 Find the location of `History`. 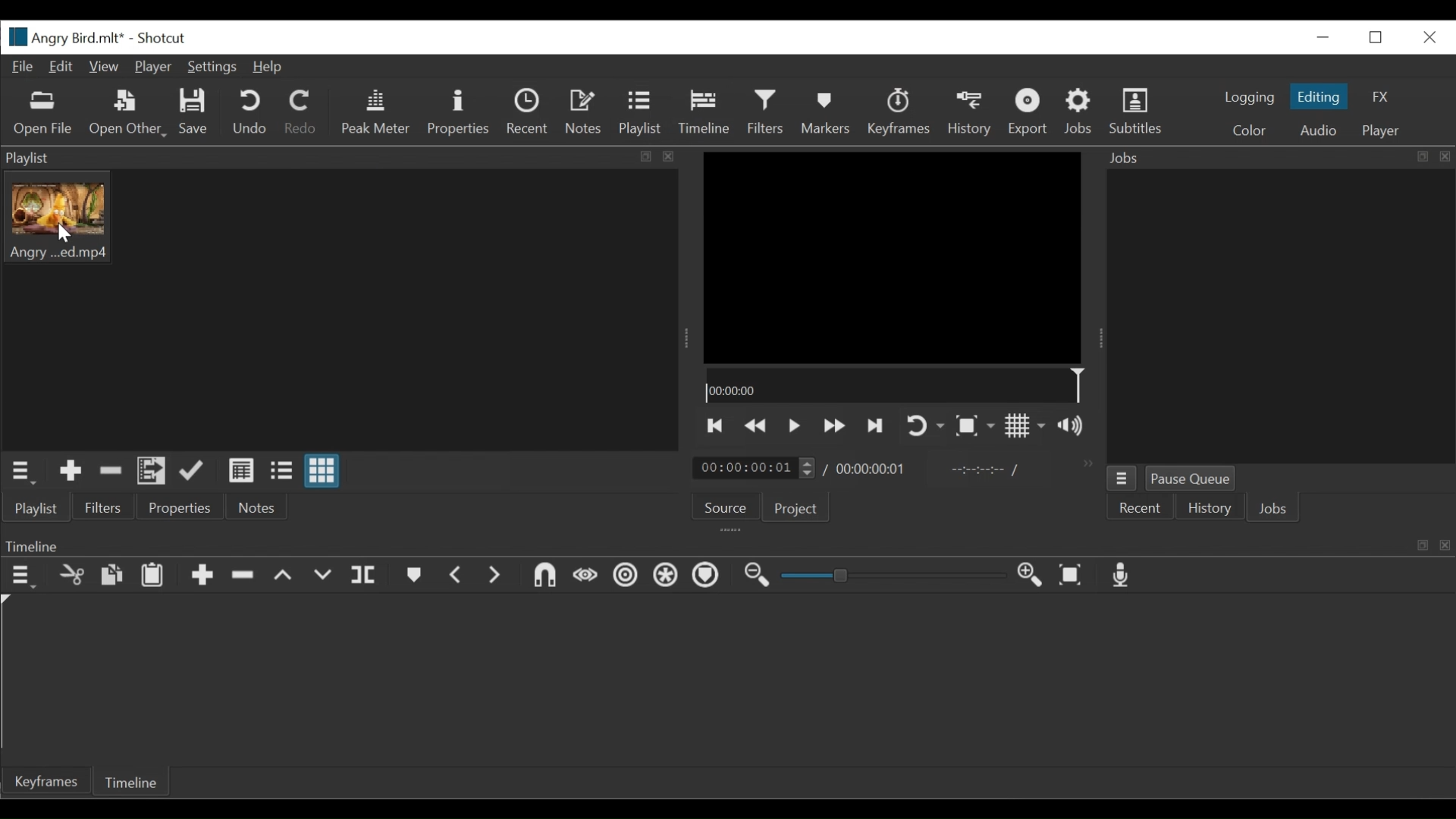

History is located at coordinates (971, 113).